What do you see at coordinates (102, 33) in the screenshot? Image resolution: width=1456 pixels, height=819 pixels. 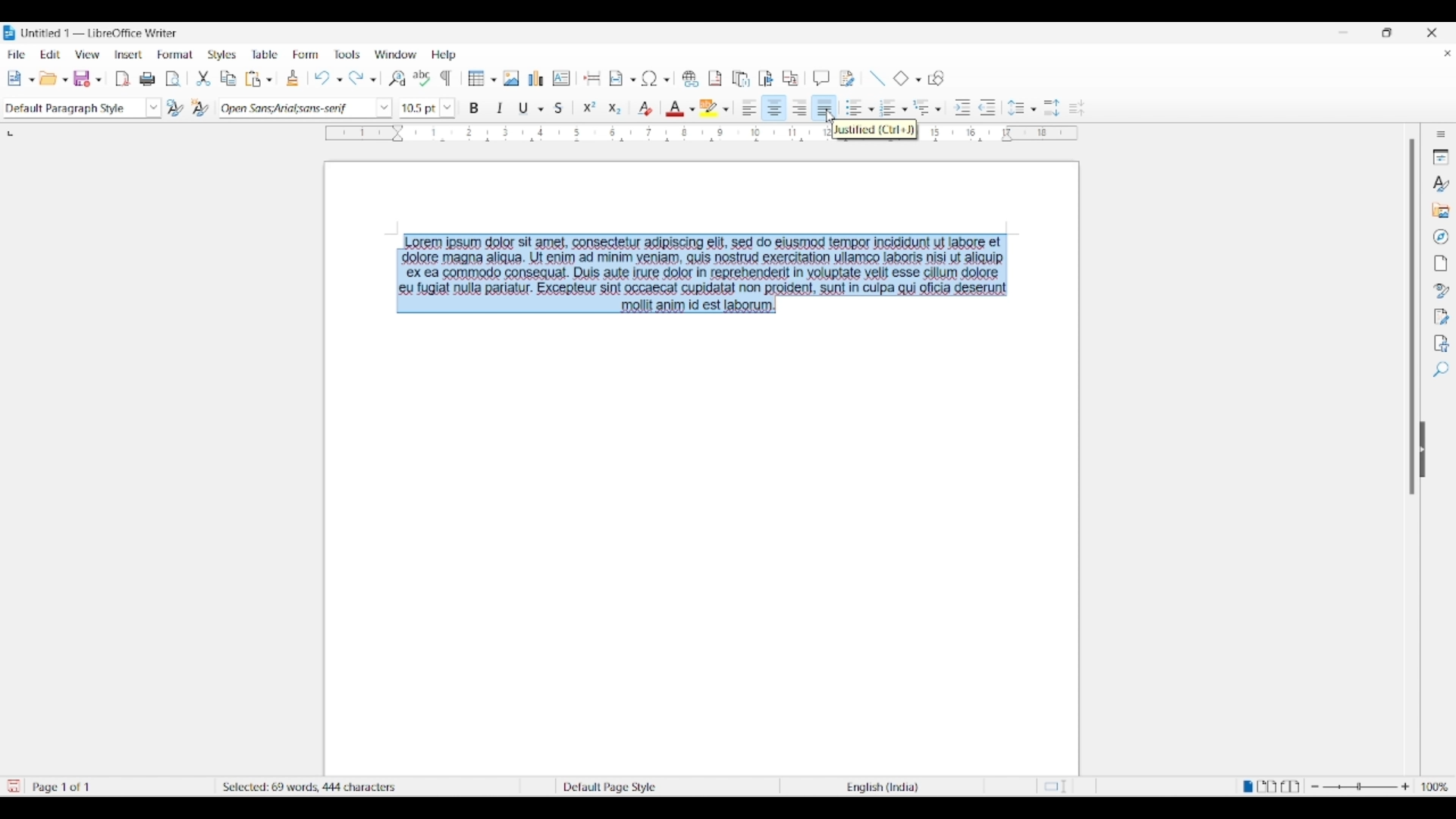 I see `Untitled 1-LibreOffice Writer` at bounding box center [102, 33].